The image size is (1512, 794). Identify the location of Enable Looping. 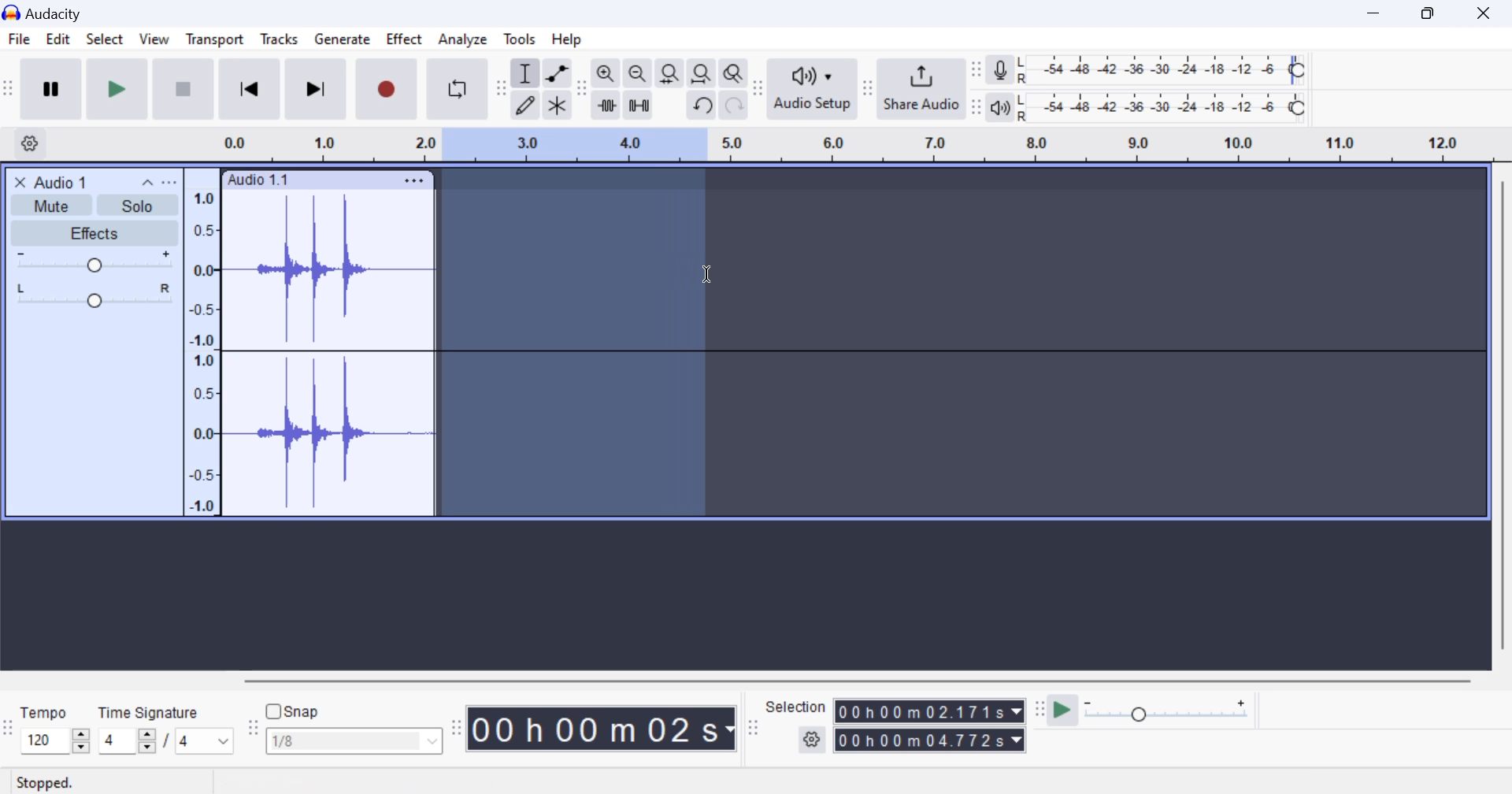
(458, 89).